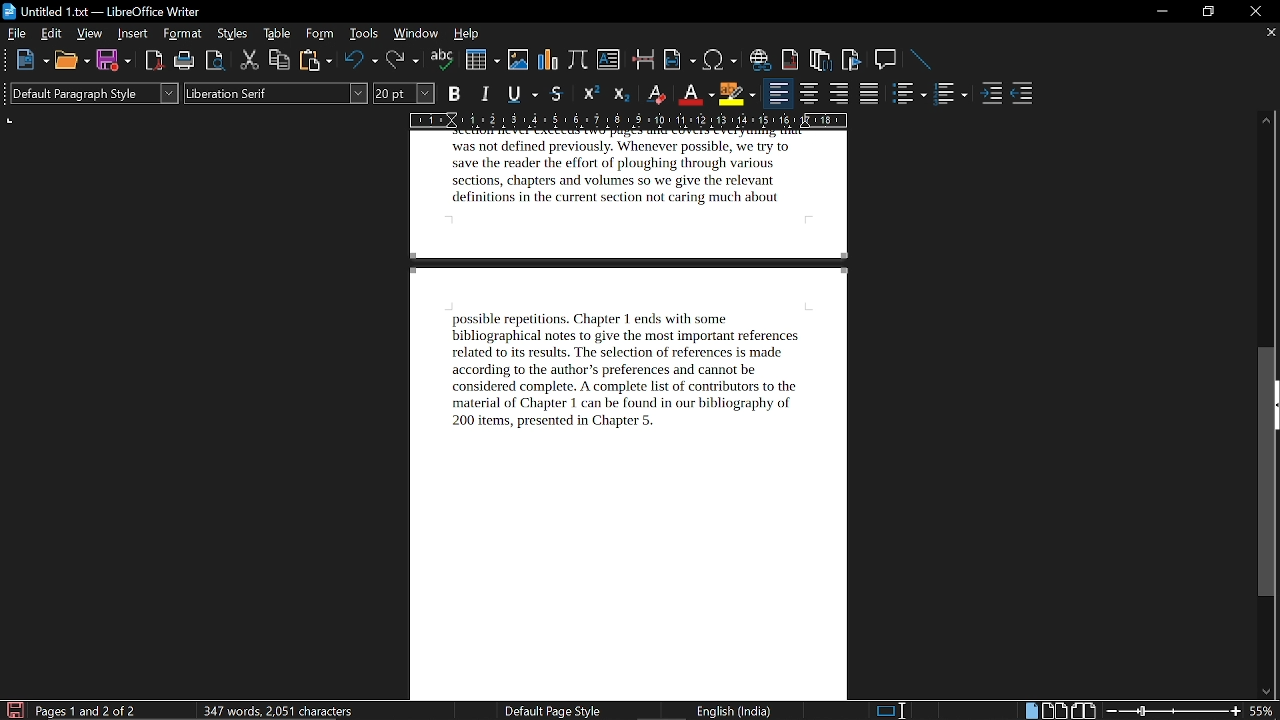  What do you see at coordinates (133, 34) in the screenshot?
I see `insert` at bounding box center [133, 34].